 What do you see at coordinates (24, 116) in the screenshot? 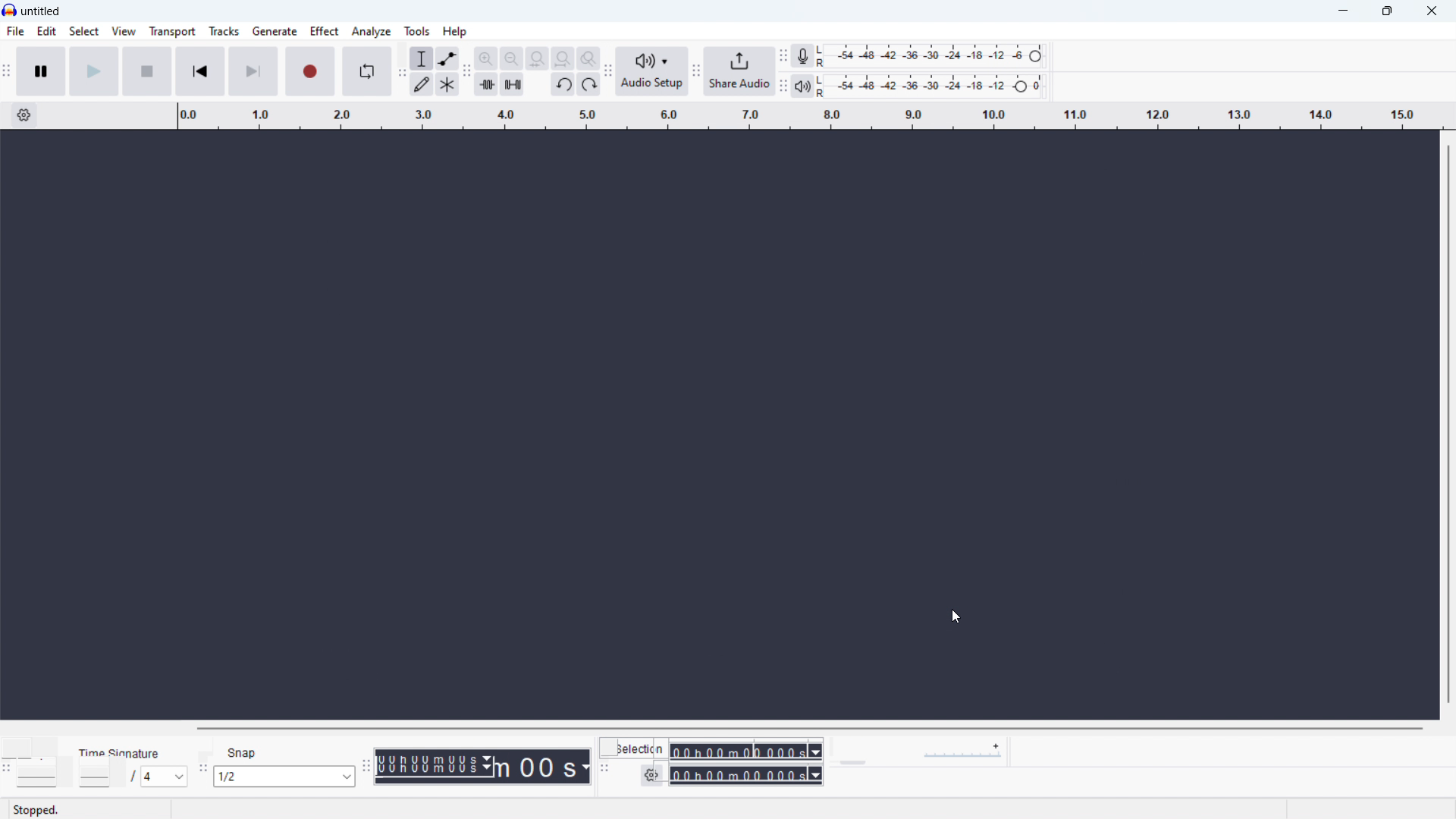
I see `timeline settings` at bounding box center [24, 116].